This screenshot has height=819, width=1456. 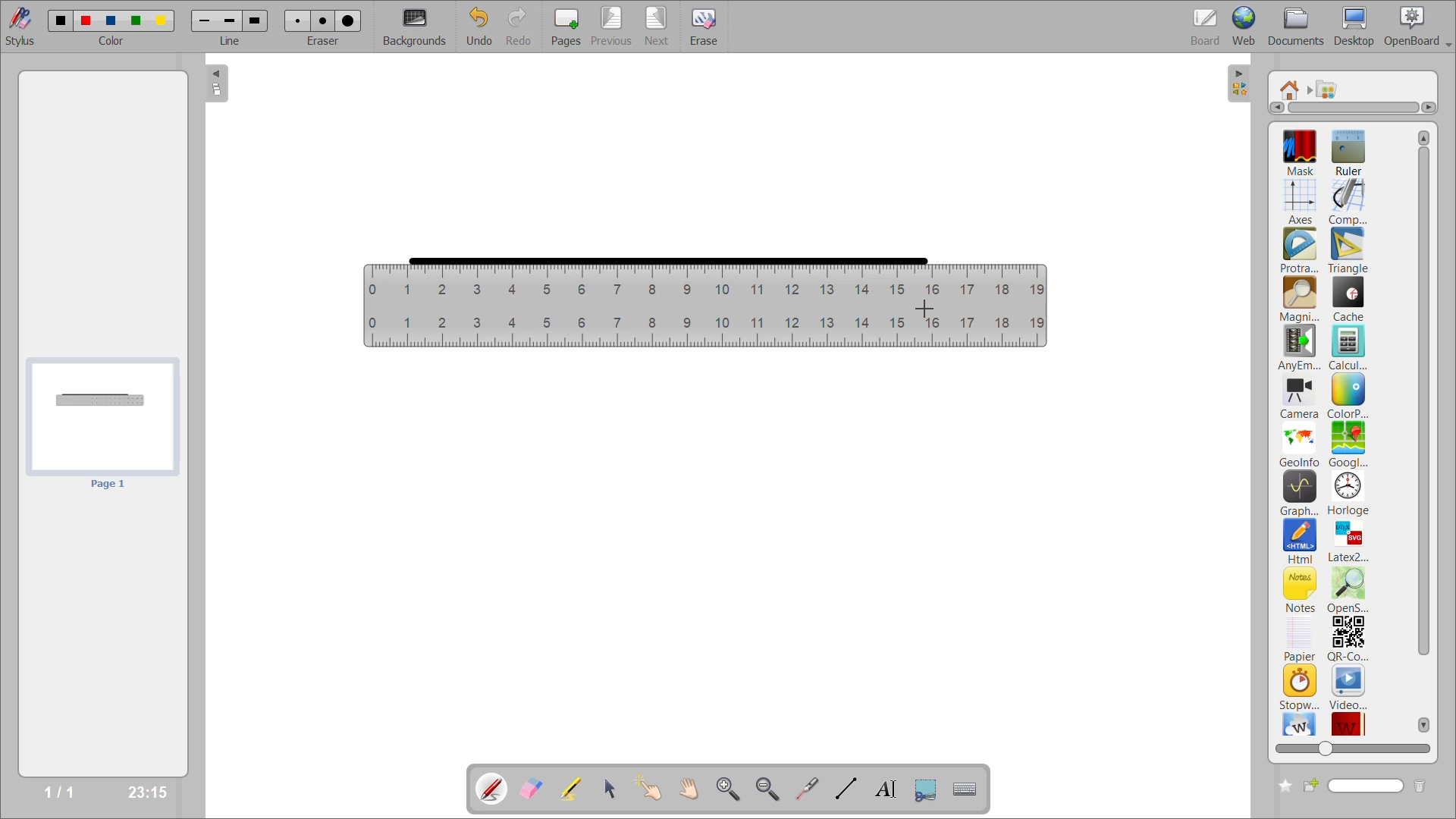 I want to click on colorpicker, so click(x=1348, y=396).